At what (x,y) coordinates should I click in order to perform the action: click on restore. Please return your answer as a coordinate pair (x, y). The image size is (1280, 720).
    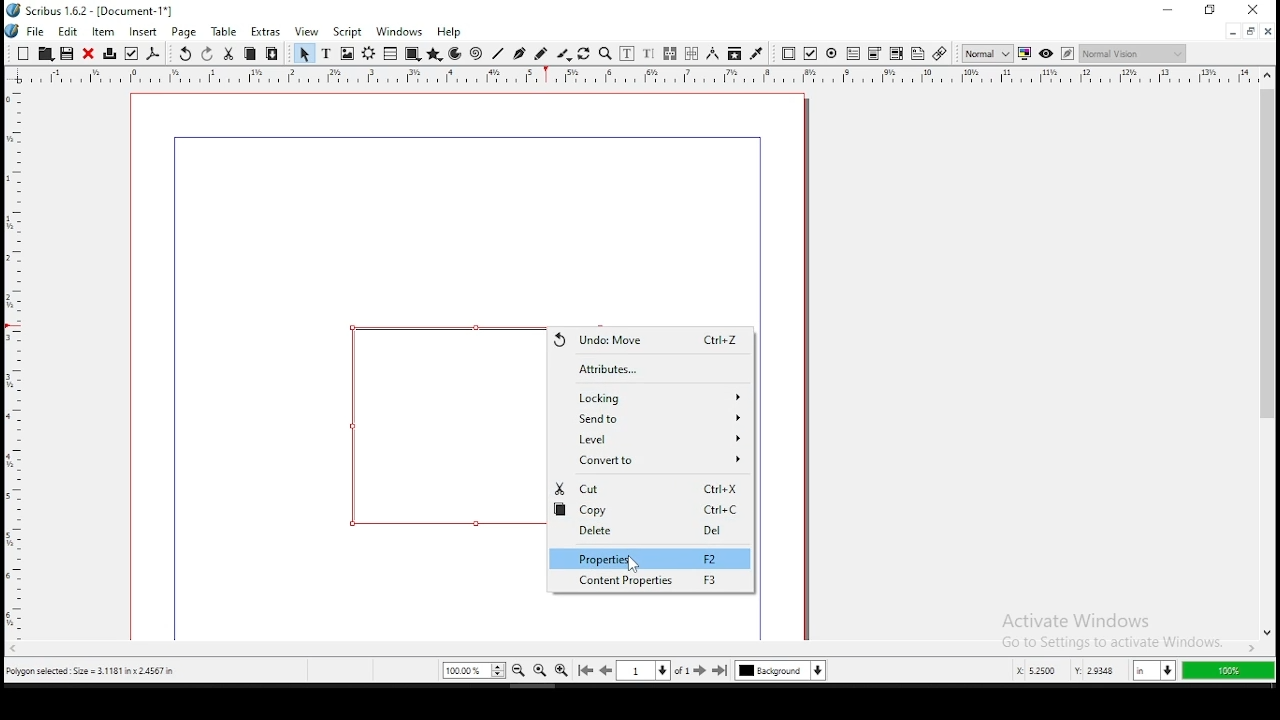
    Looking at the image, I should click on (1251, 32).